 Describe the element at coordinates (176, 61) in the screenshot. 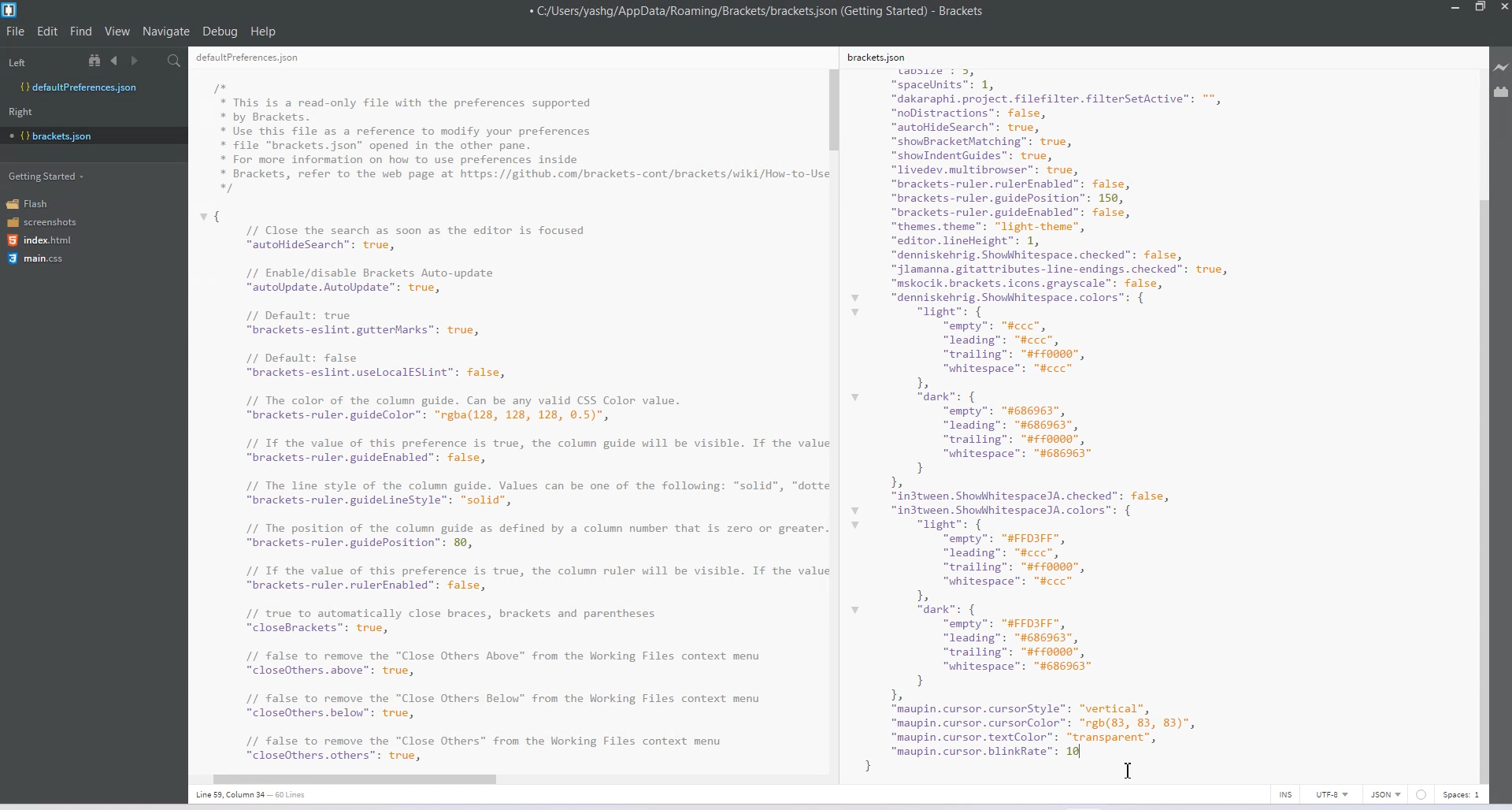

I see `Find in Files` at that location.